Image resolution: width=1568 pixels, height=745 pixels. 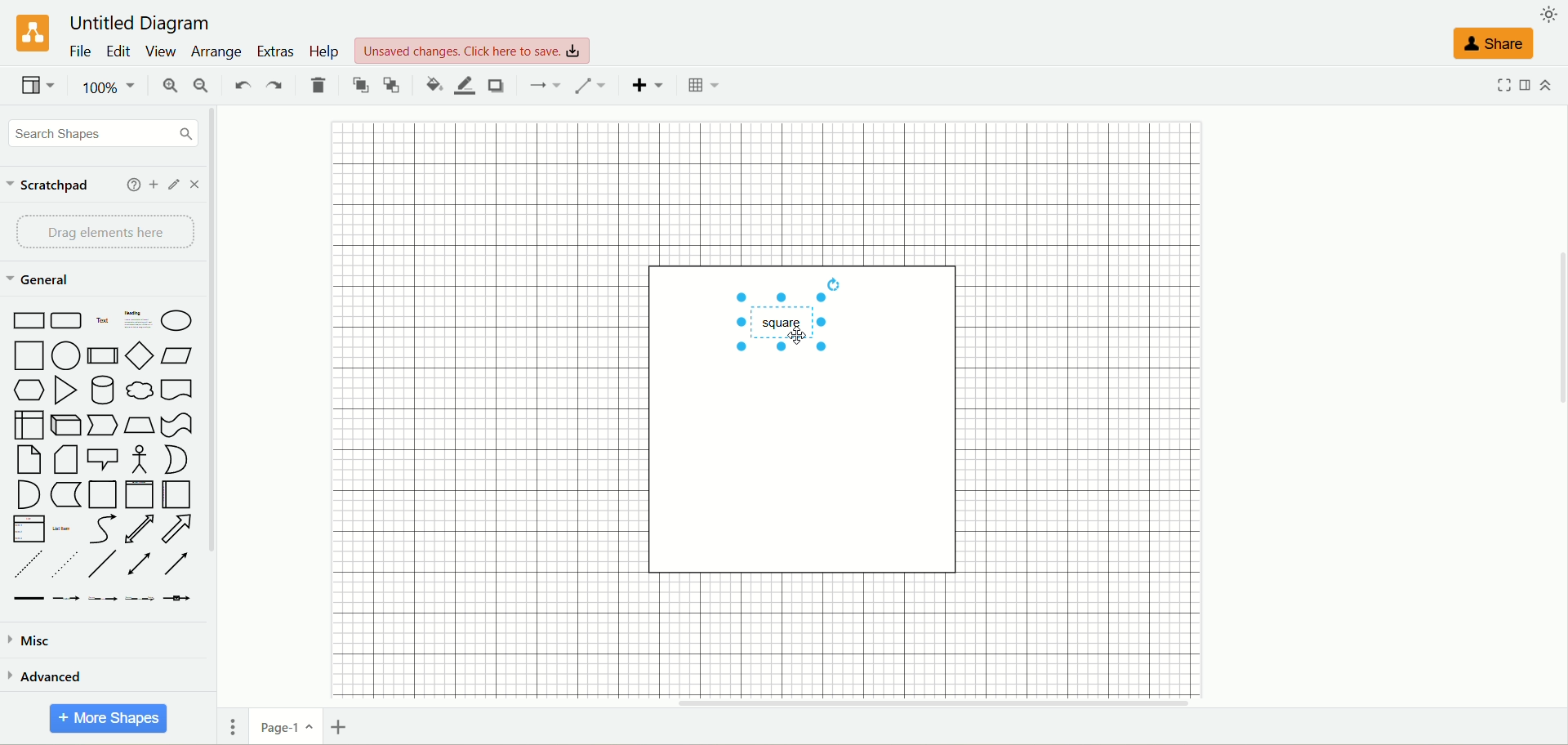 I want to click on to back, so click(x=394, y=86).